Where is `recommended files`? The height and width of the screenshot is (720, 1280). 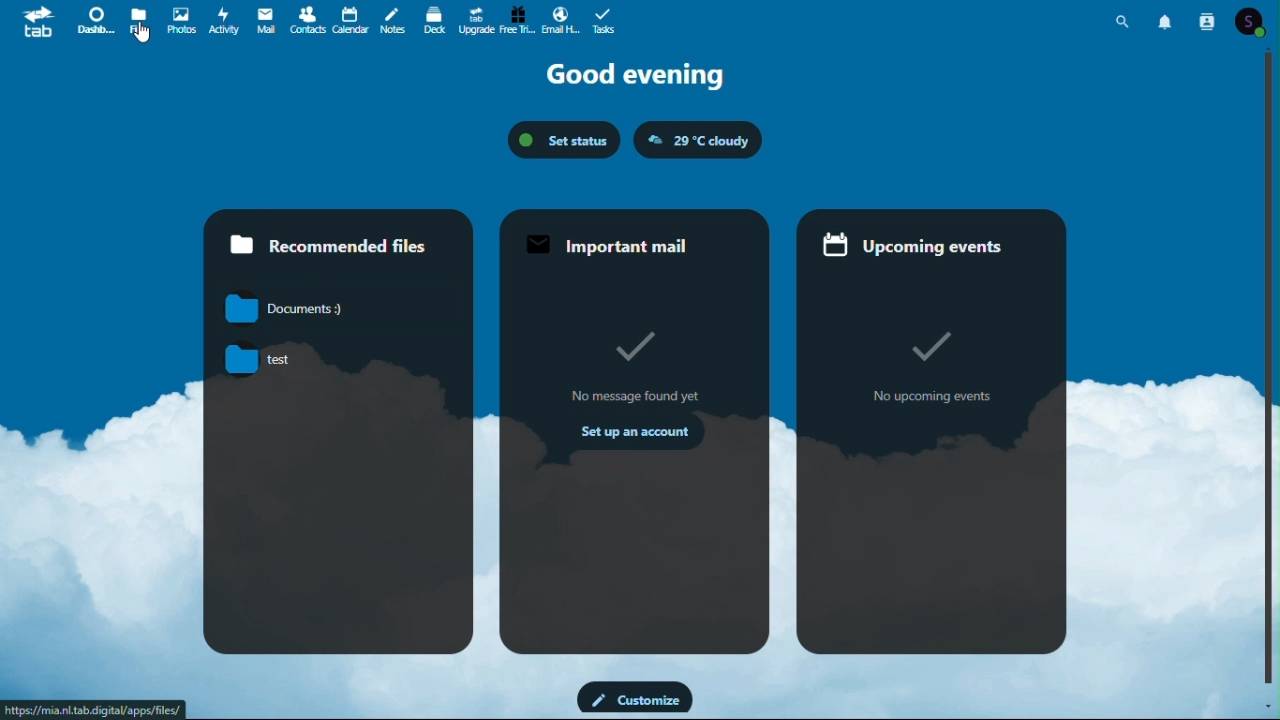
recommended files is located at coordinates (339, 235).